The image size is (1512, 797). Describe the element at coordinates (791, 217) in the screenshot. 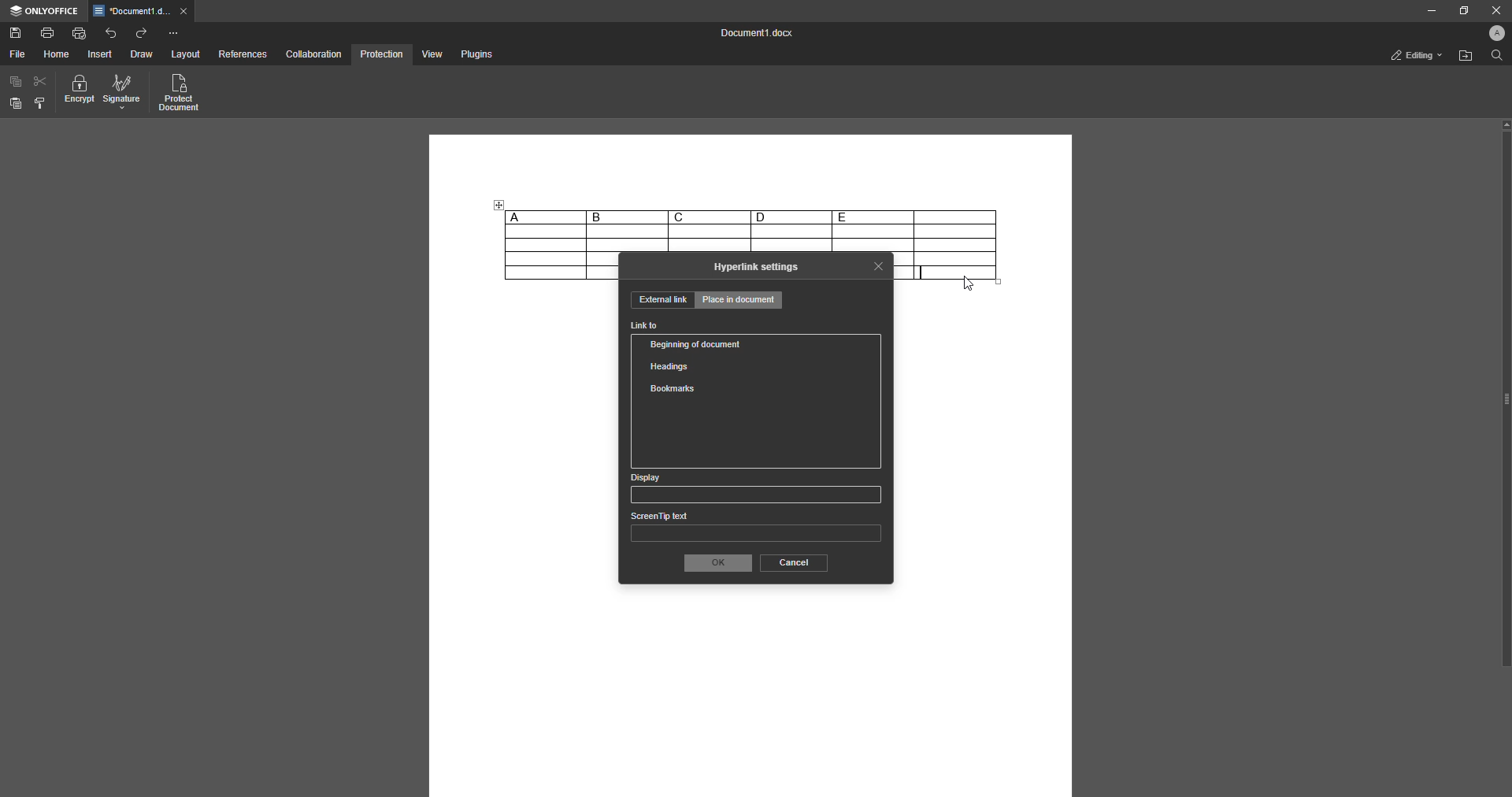

I see `D` at that location.